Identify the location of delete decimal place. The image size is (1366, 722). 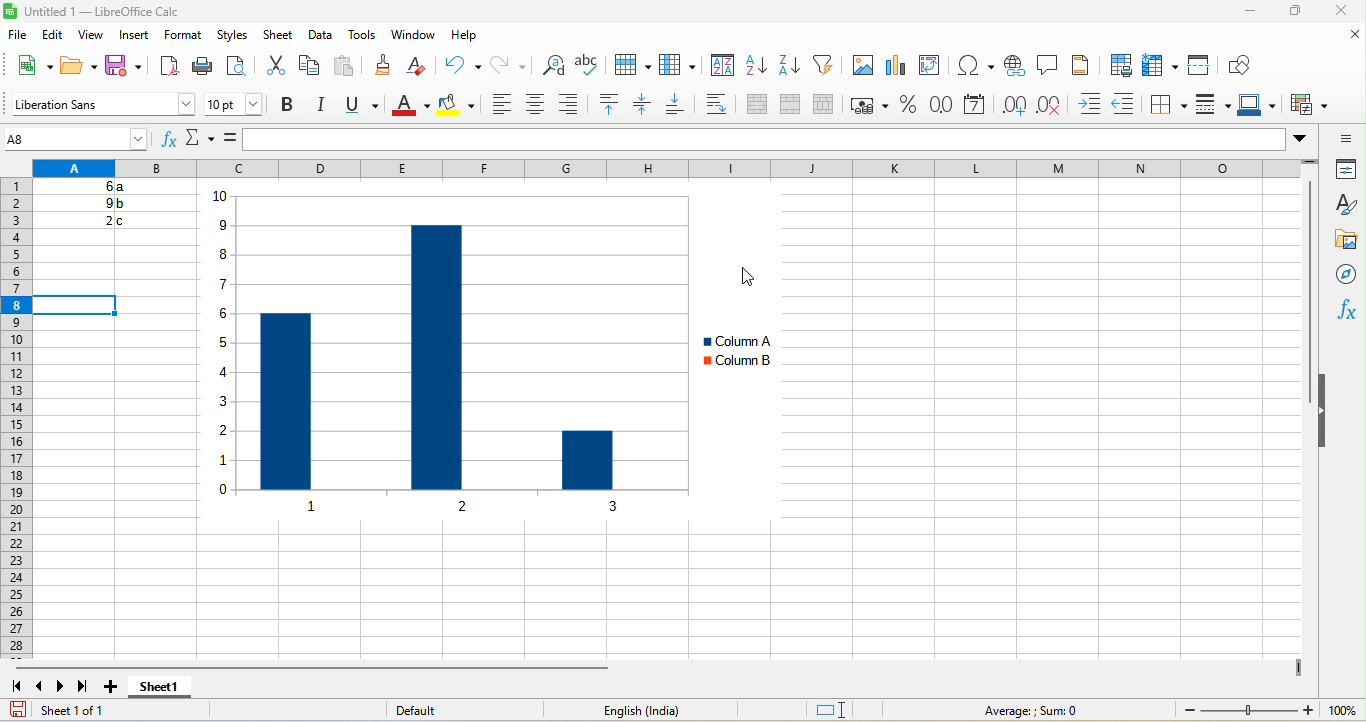
(1054, 105).